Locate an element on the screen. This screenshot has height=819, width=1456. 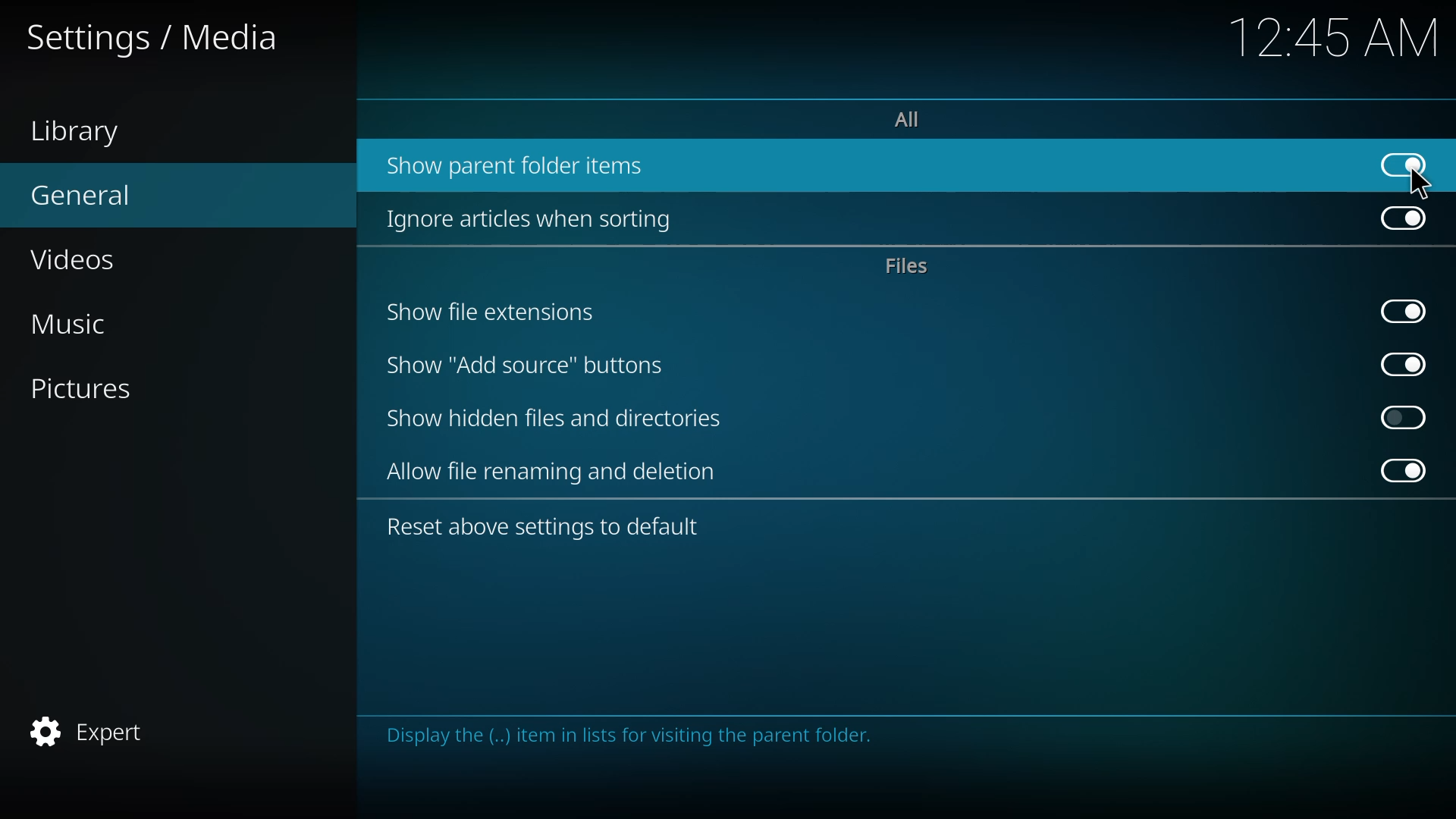
music is located at coordinates (86, 320).